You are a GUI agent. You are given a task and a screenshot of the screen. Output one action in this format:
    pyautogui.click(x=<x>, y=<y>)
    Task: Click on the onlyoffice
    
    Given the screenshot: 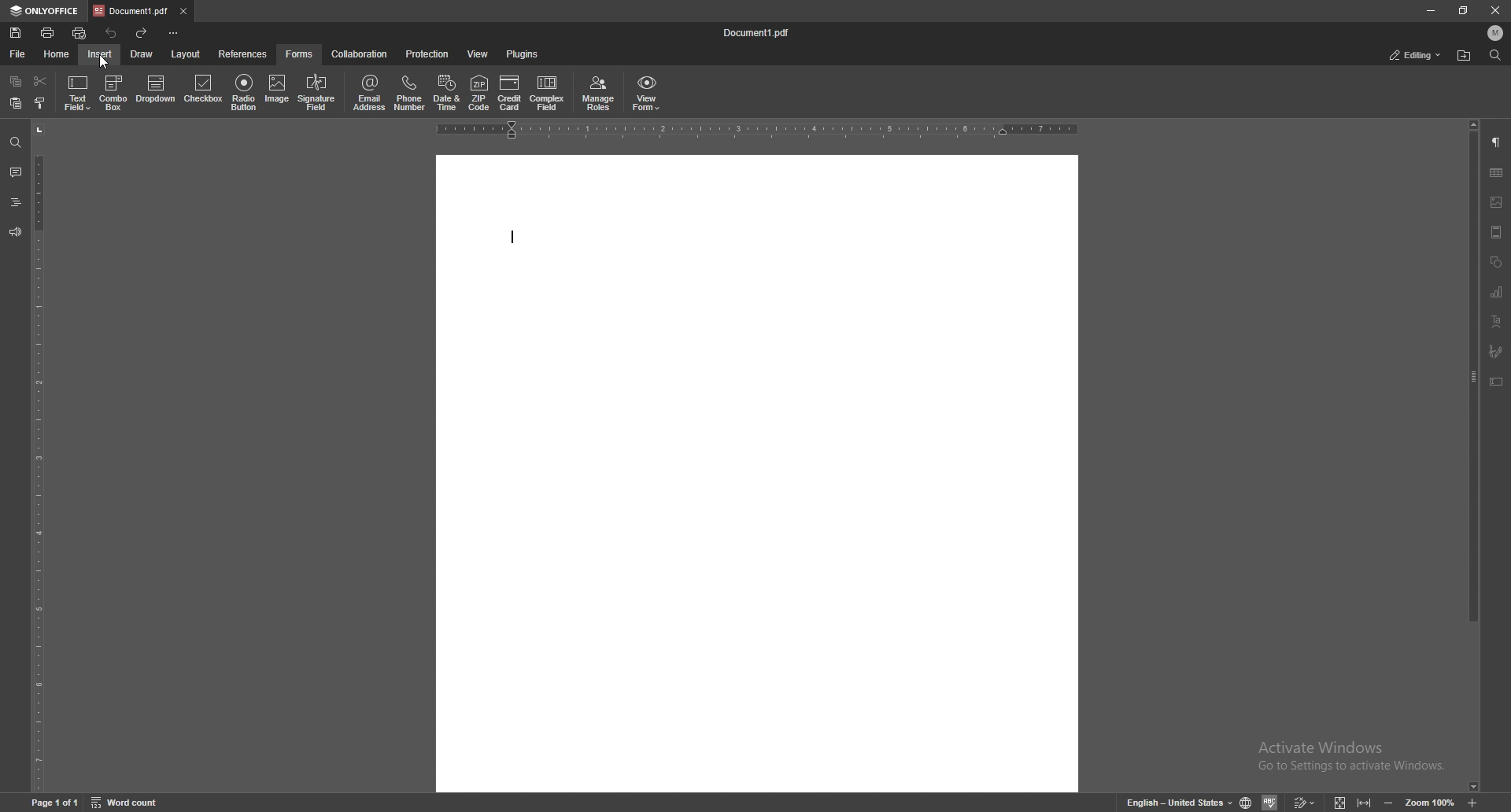 What is the action you would take?
    pyautogui.click(x=46, y=11)
    